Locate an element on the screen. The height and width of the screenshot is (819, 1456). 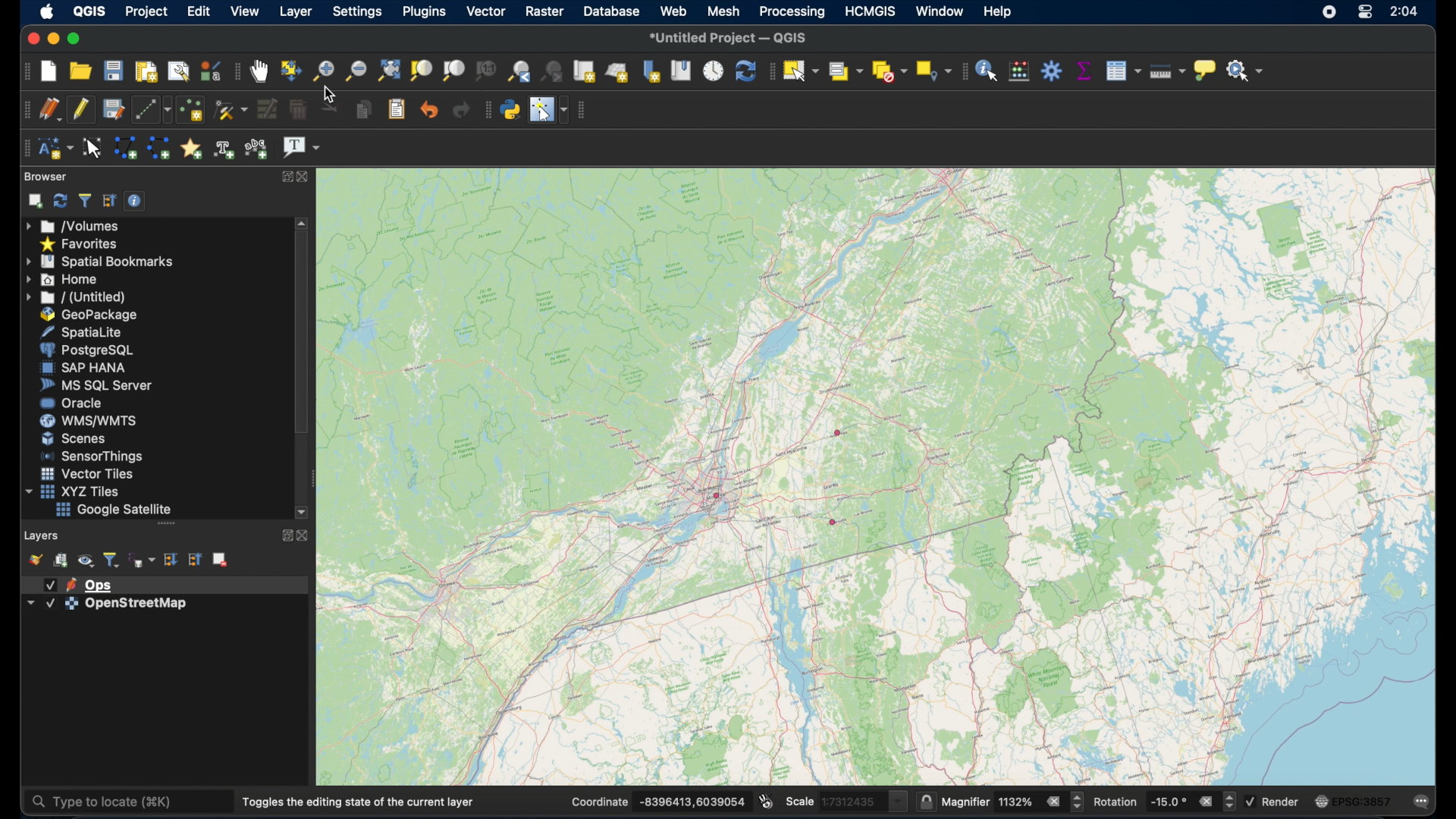
zoom last is located at coordinates (519, 71).